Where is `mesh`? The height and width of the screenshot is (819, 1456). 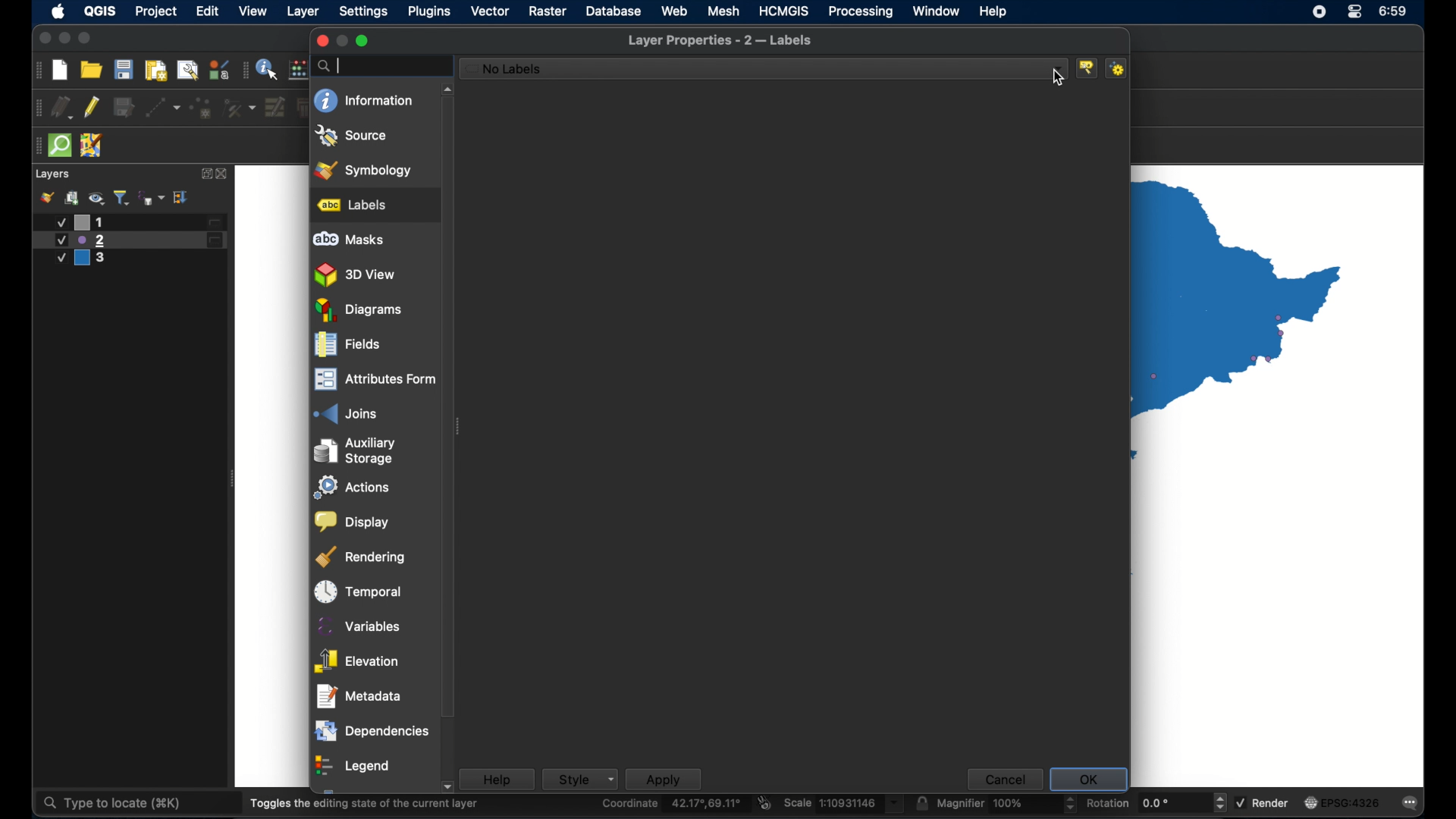
mesh is located at coordinates (723, 11).